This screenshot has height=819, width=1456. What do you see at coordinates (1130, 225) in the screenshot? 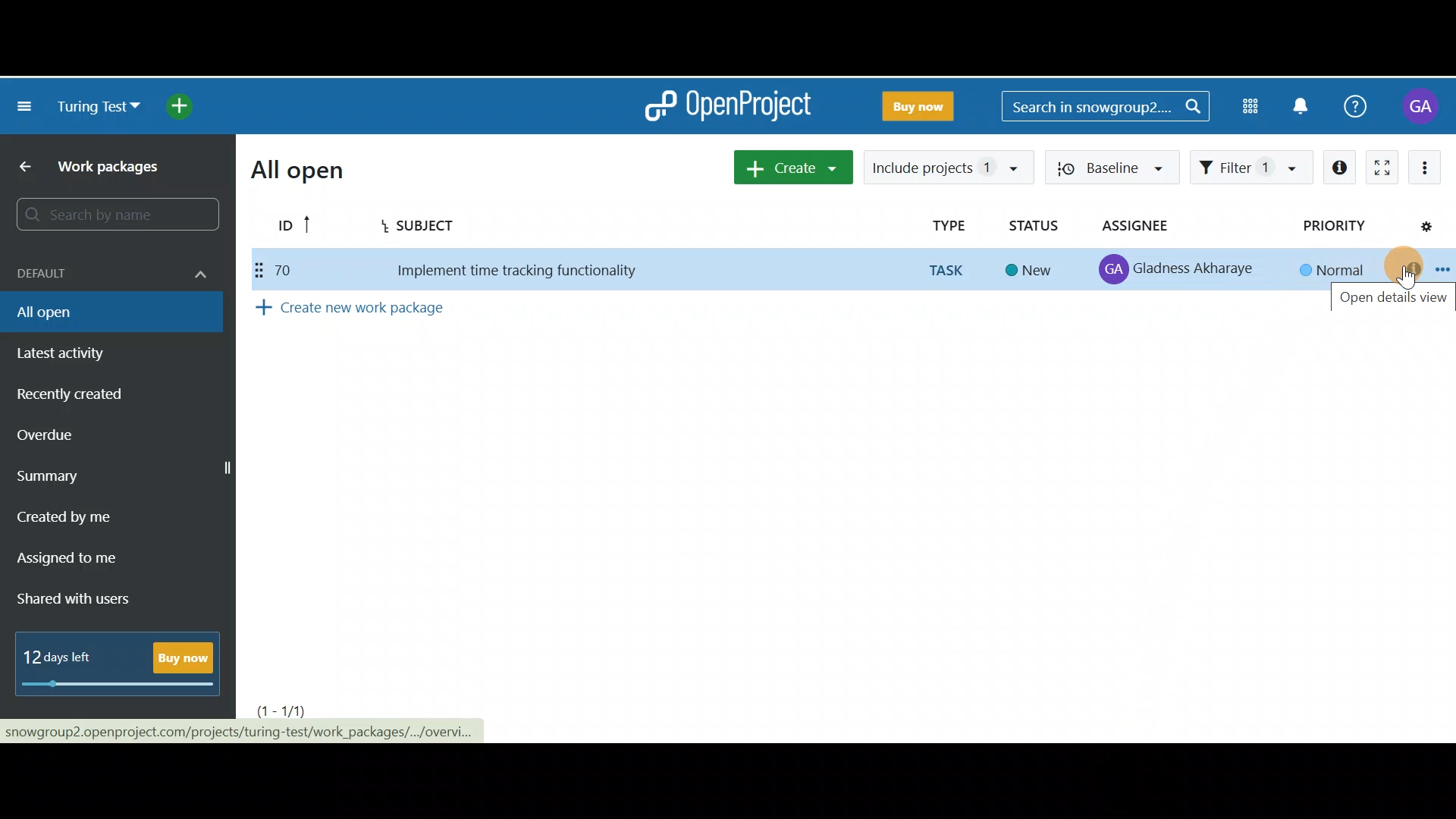
I see `Assignee` at bounding box center [1130, 225].